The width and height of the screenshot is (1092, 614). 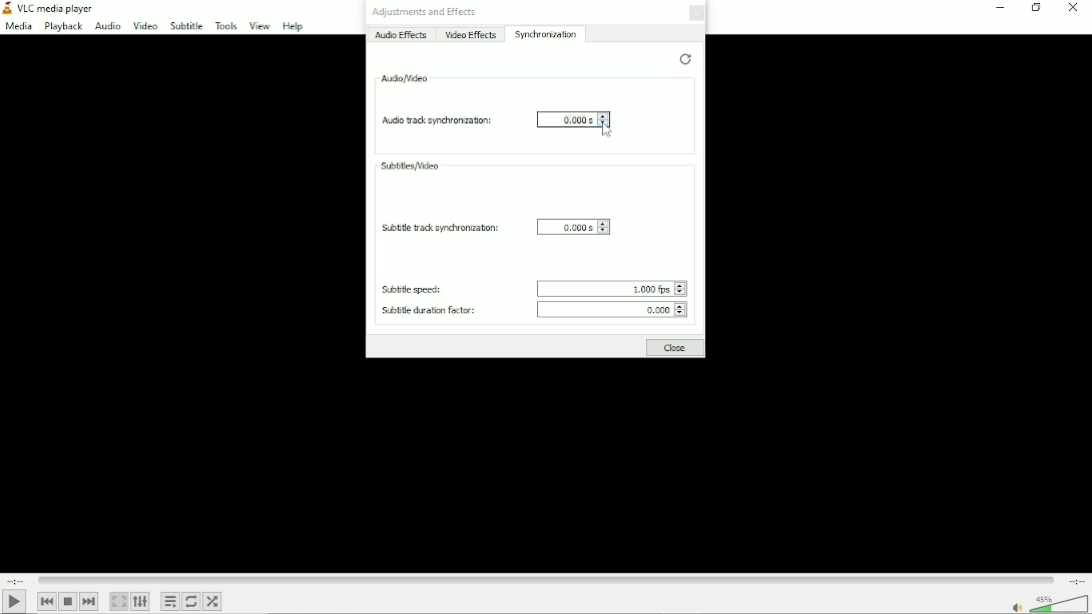 What do you see at coordinates (428, 311) in the screenshot?
I see `Subtitle duration factor` at bounding box center [428, 311].